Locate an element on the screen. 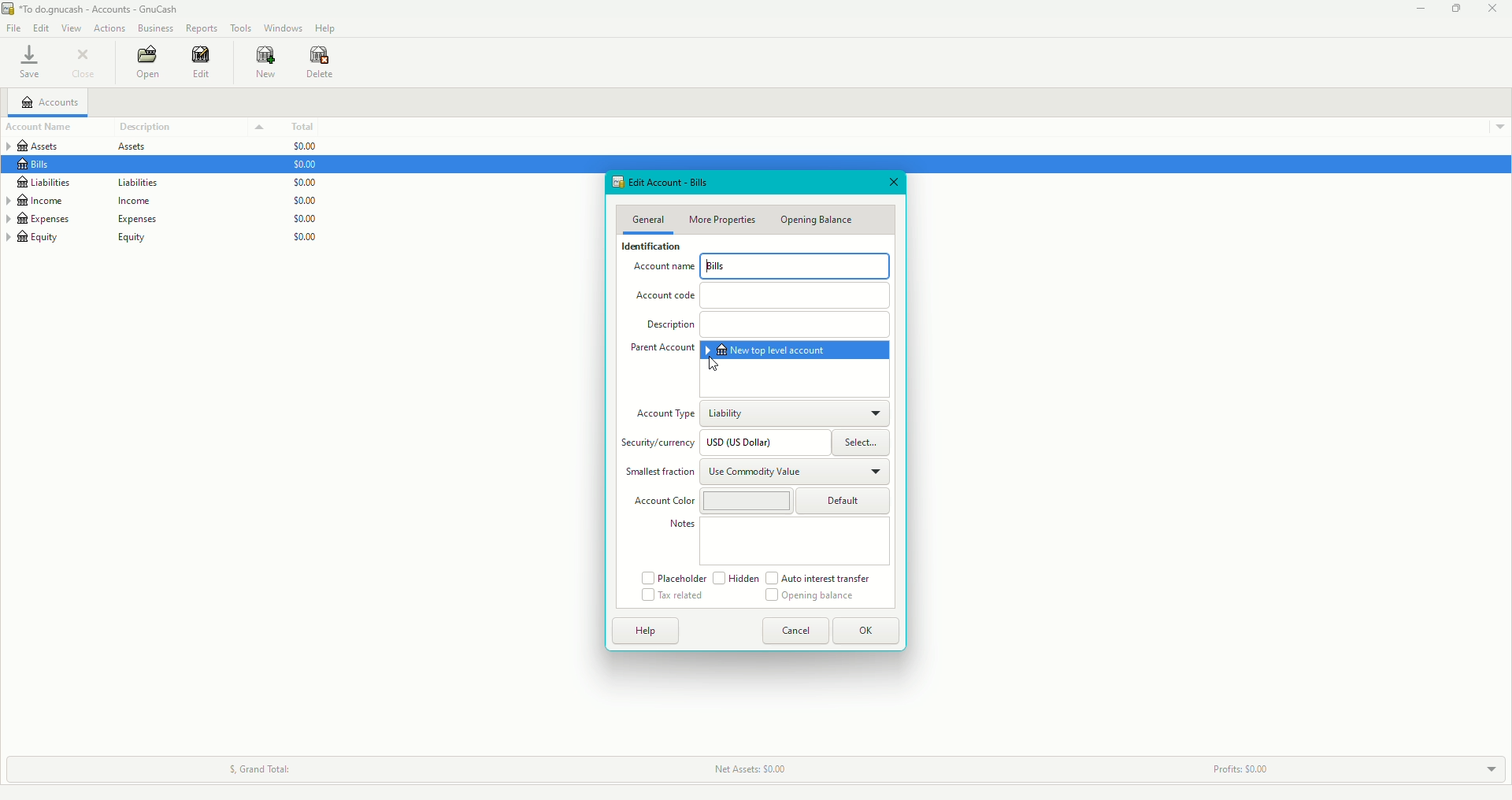 The width and height of the screenshot is (1512, 800). Tax related is located at coordinates (673, 595).